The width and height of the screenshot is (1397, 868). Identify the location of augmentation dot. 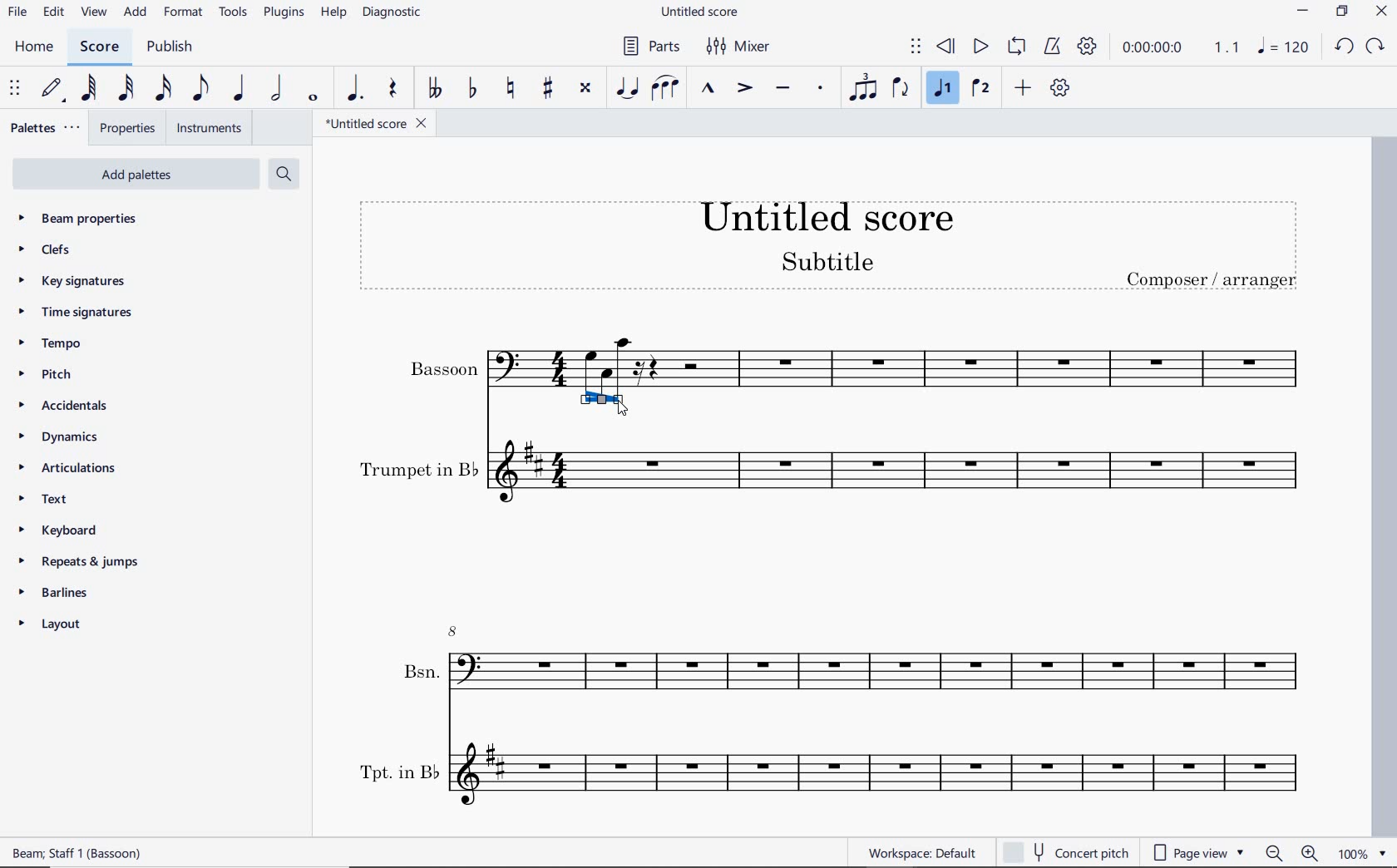
(355, 87).